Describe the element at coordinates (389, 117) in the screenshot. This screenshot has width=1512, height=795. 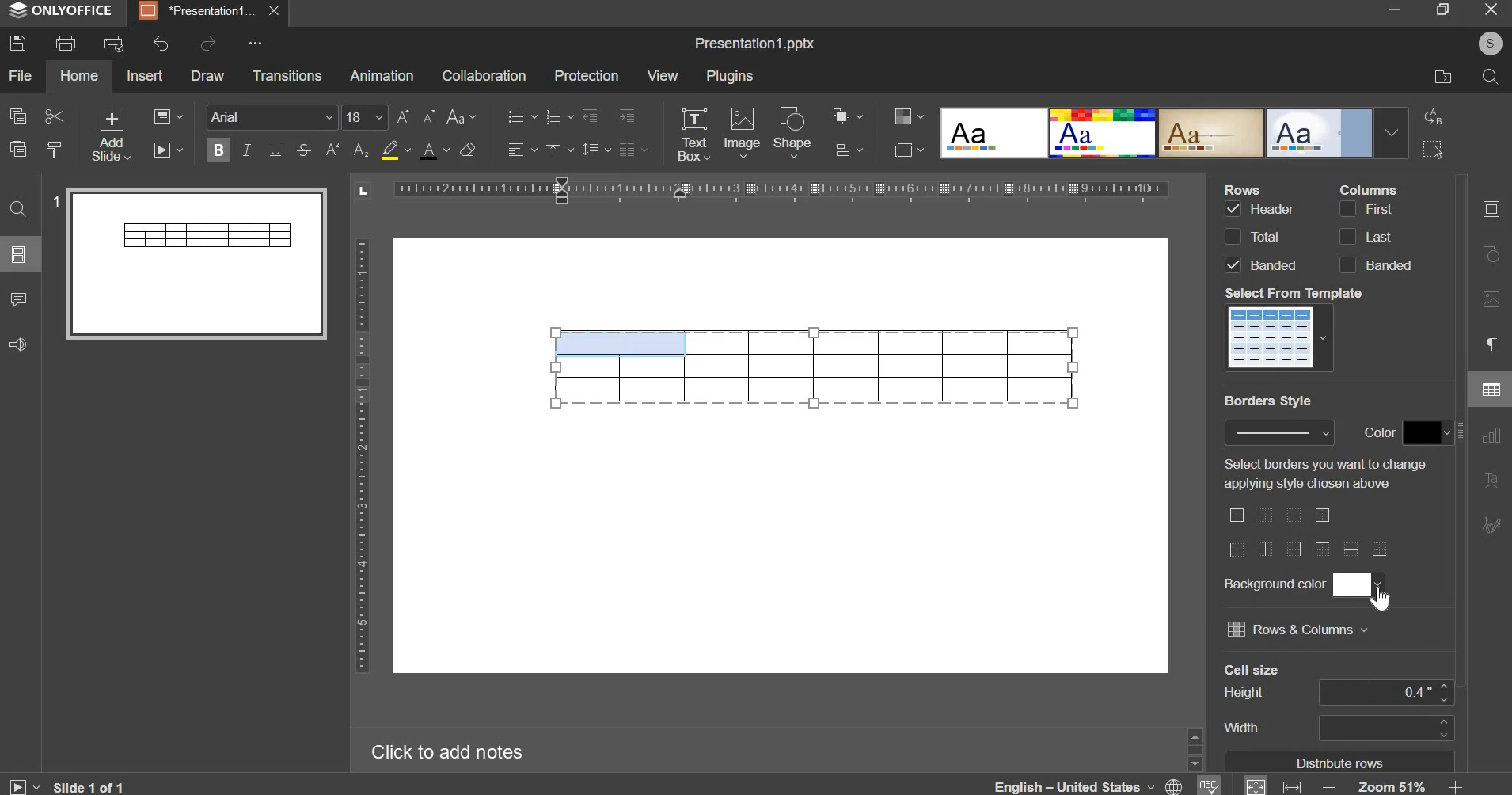
I see `font size` at that location.